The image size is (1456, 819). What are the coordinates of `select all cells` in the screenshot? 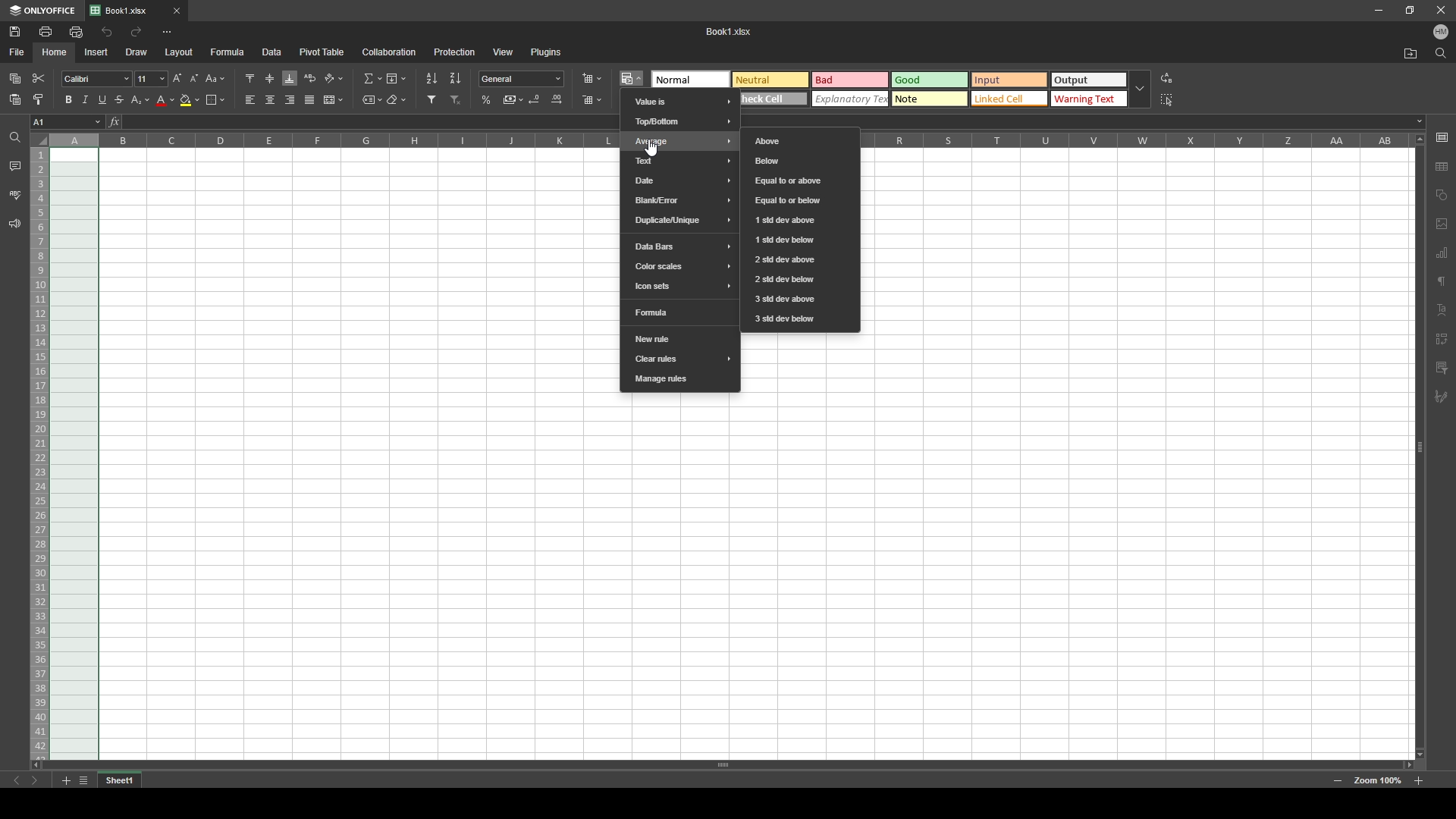 It's located at (39, 139).